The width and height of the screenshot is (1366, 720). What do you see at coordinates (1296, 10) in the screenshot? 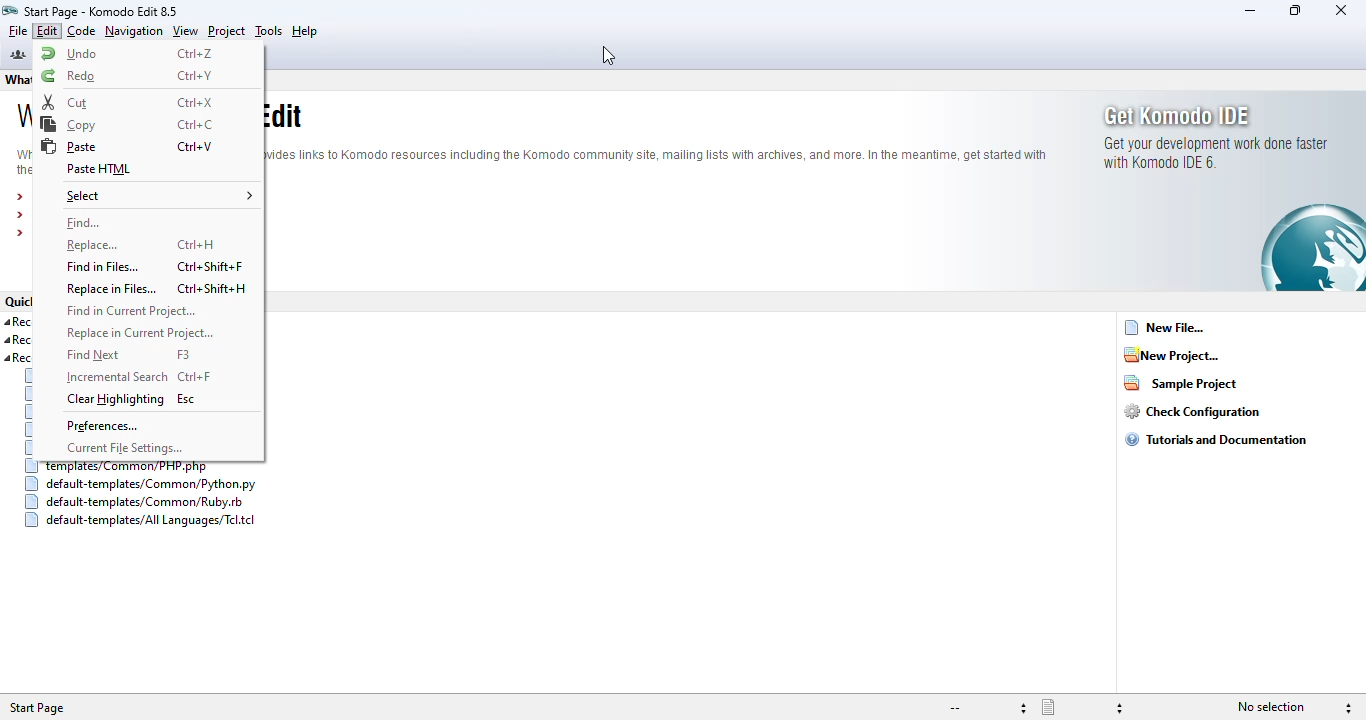
I see `maximize` at bounding box center [1296, 10].